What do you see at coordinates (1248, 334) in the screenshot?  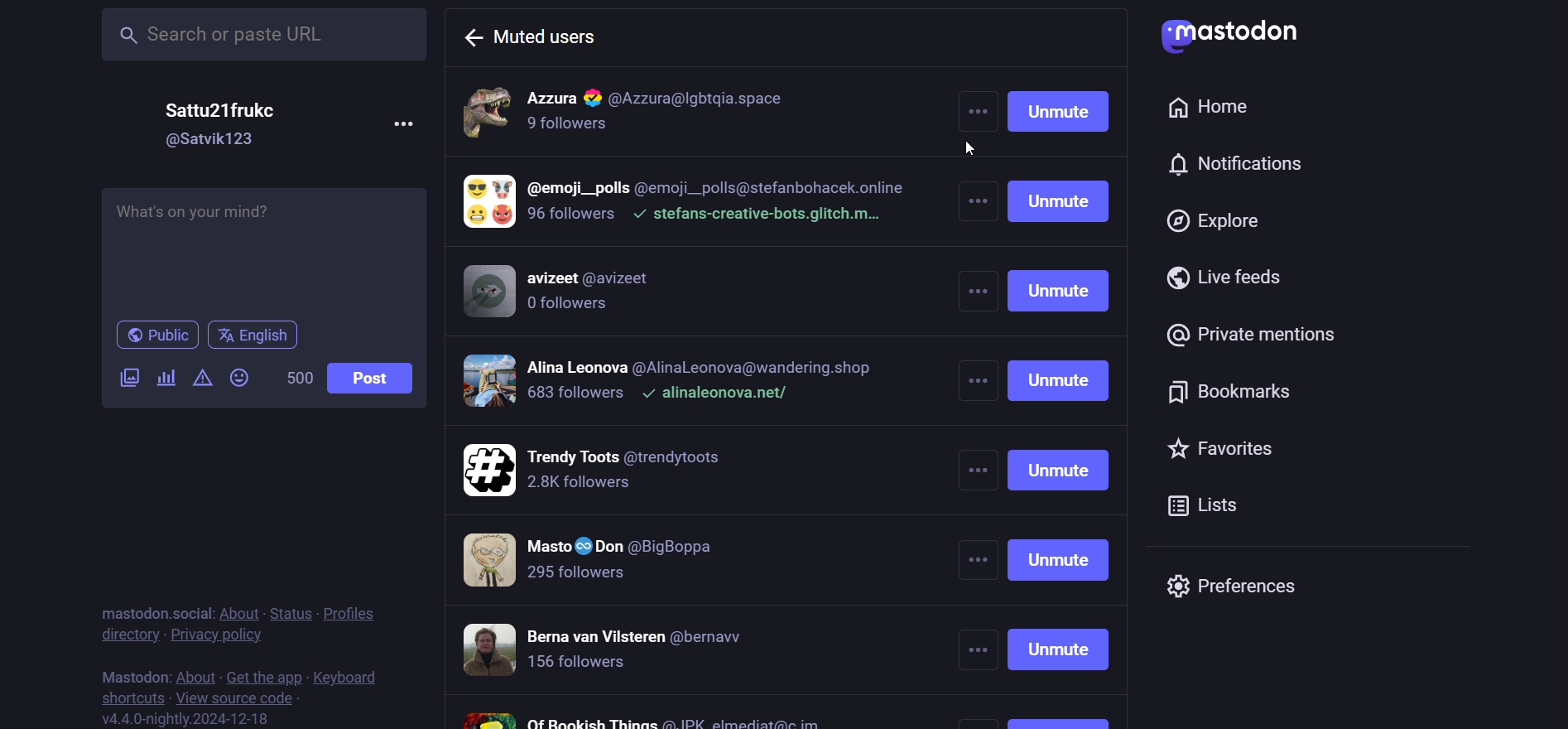 I see `private mention` at bounding box center [1248, 334].